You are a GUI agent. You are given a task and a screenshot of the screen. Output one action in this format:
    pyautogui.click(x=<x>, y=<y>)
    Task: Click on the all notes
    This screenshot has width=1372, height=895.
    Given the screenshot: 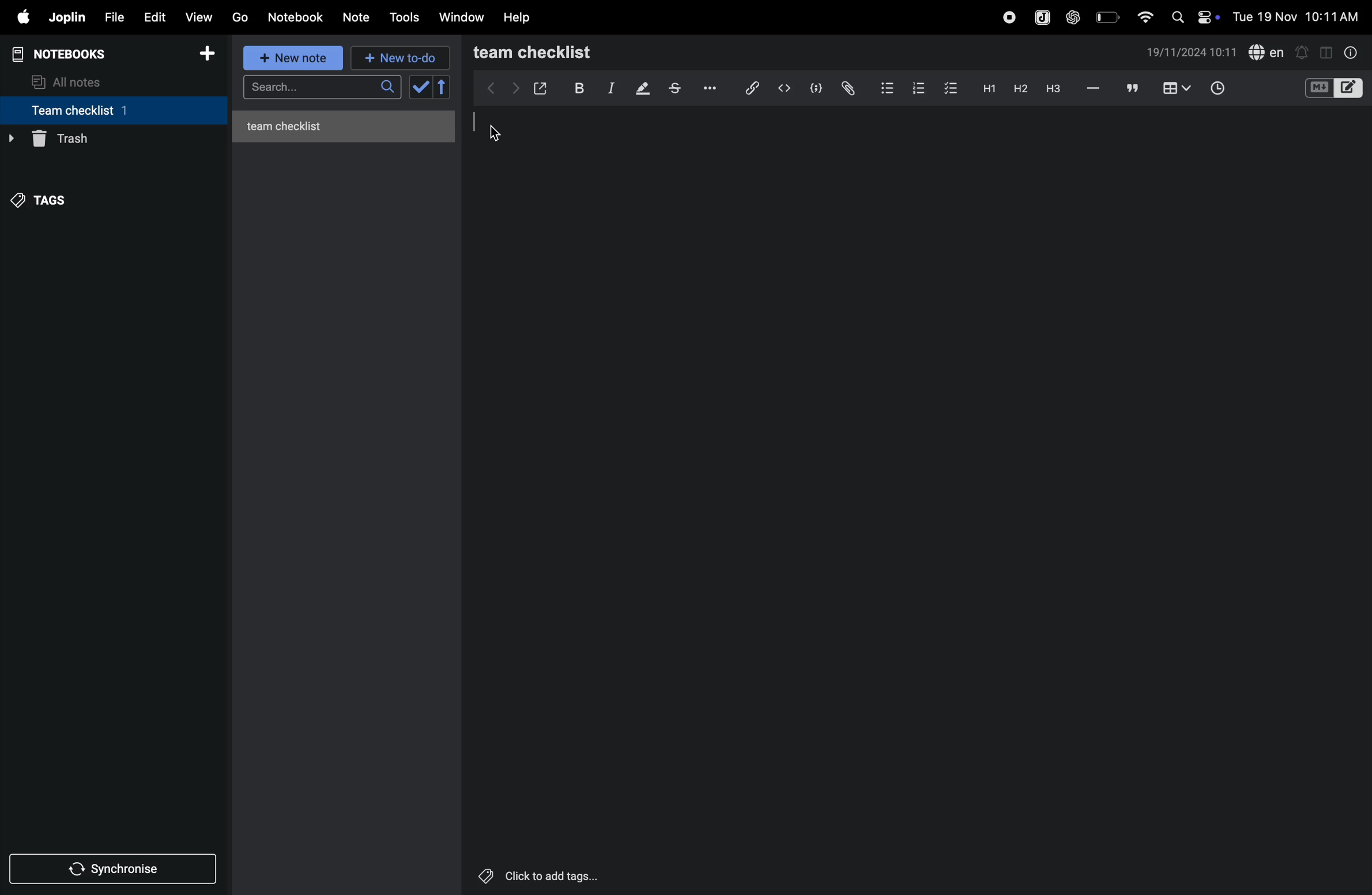 What is the action you would take?
    pyautogui.click(x=76, y=81)
    